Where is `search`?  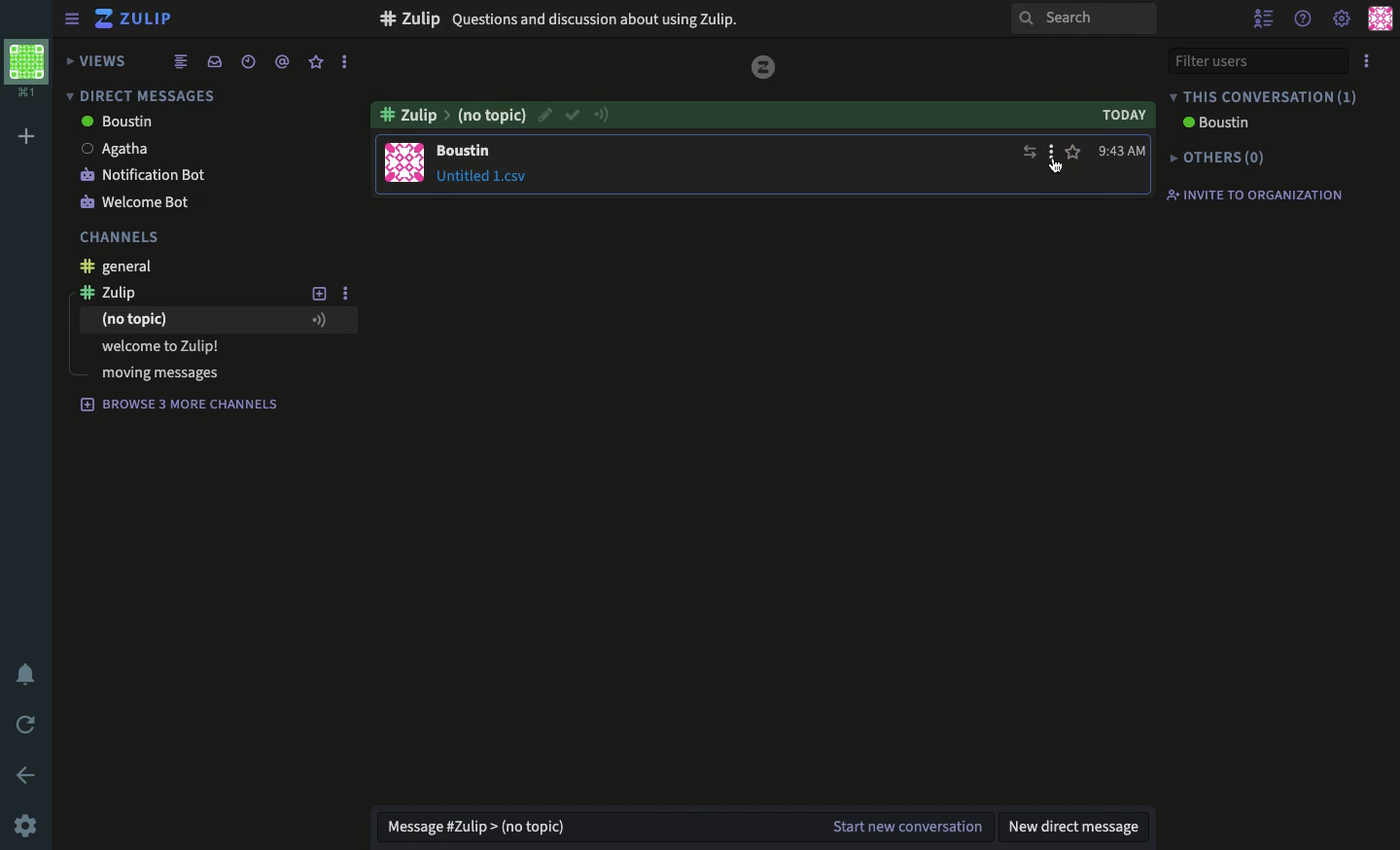 search is located at coordinates (1083, 19).